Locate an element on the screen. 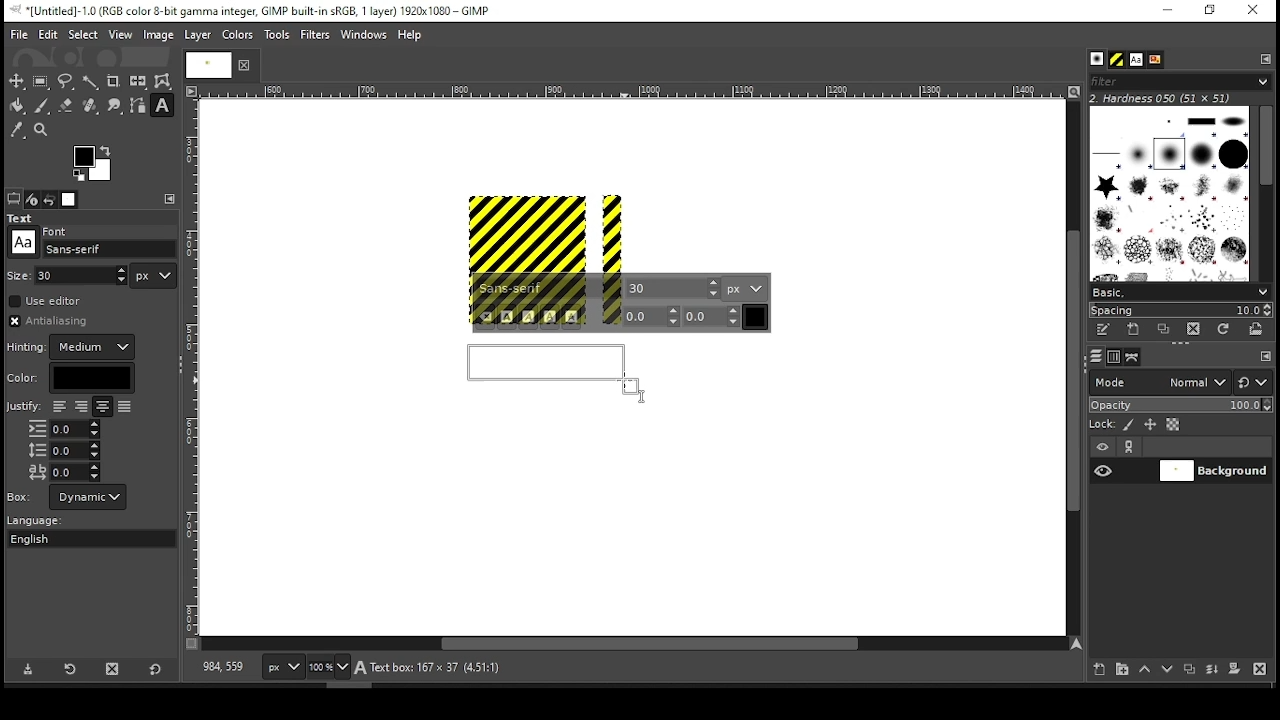 The image size is (1280, 720). delete tool preset is located at coordinates (118, 668).